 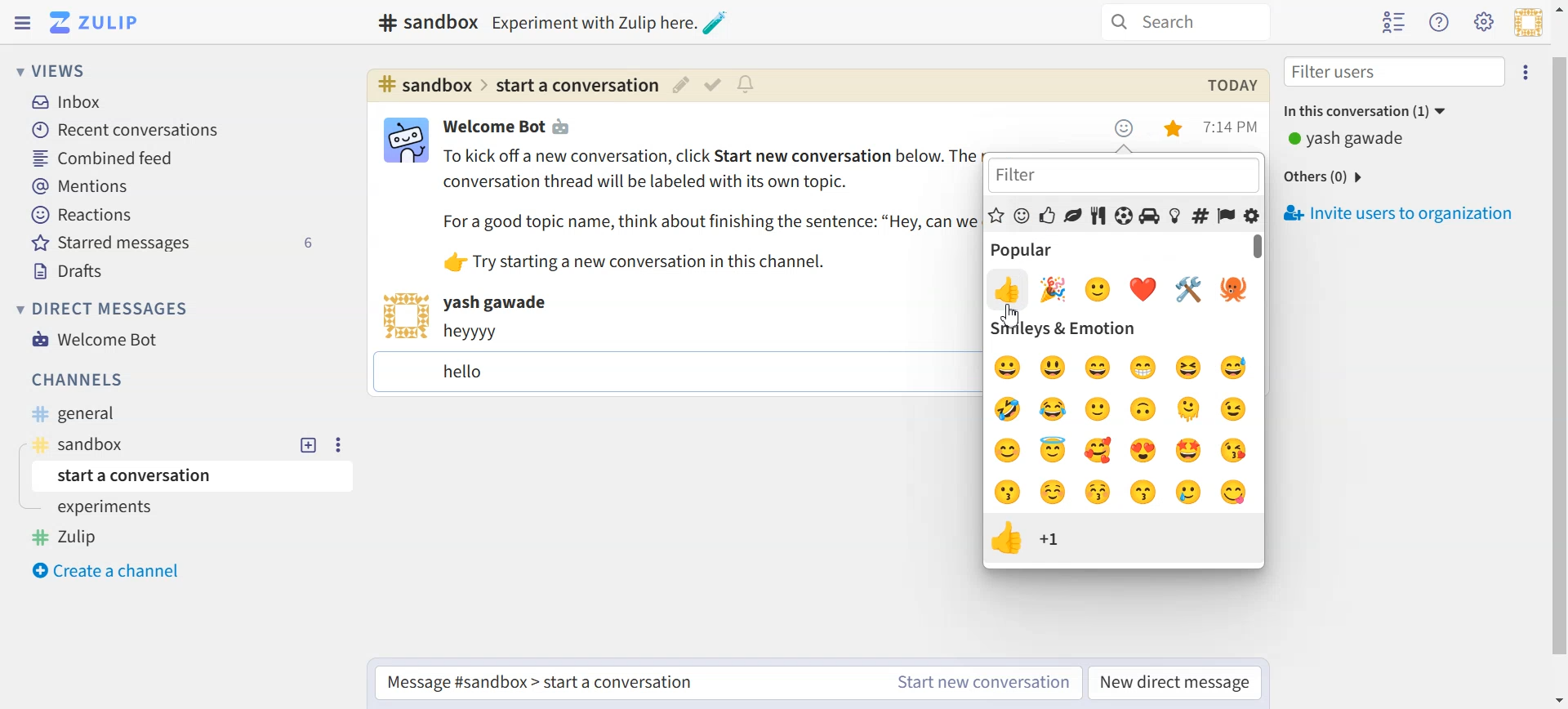 I want to click on wink, so click(x=1238, y=408).